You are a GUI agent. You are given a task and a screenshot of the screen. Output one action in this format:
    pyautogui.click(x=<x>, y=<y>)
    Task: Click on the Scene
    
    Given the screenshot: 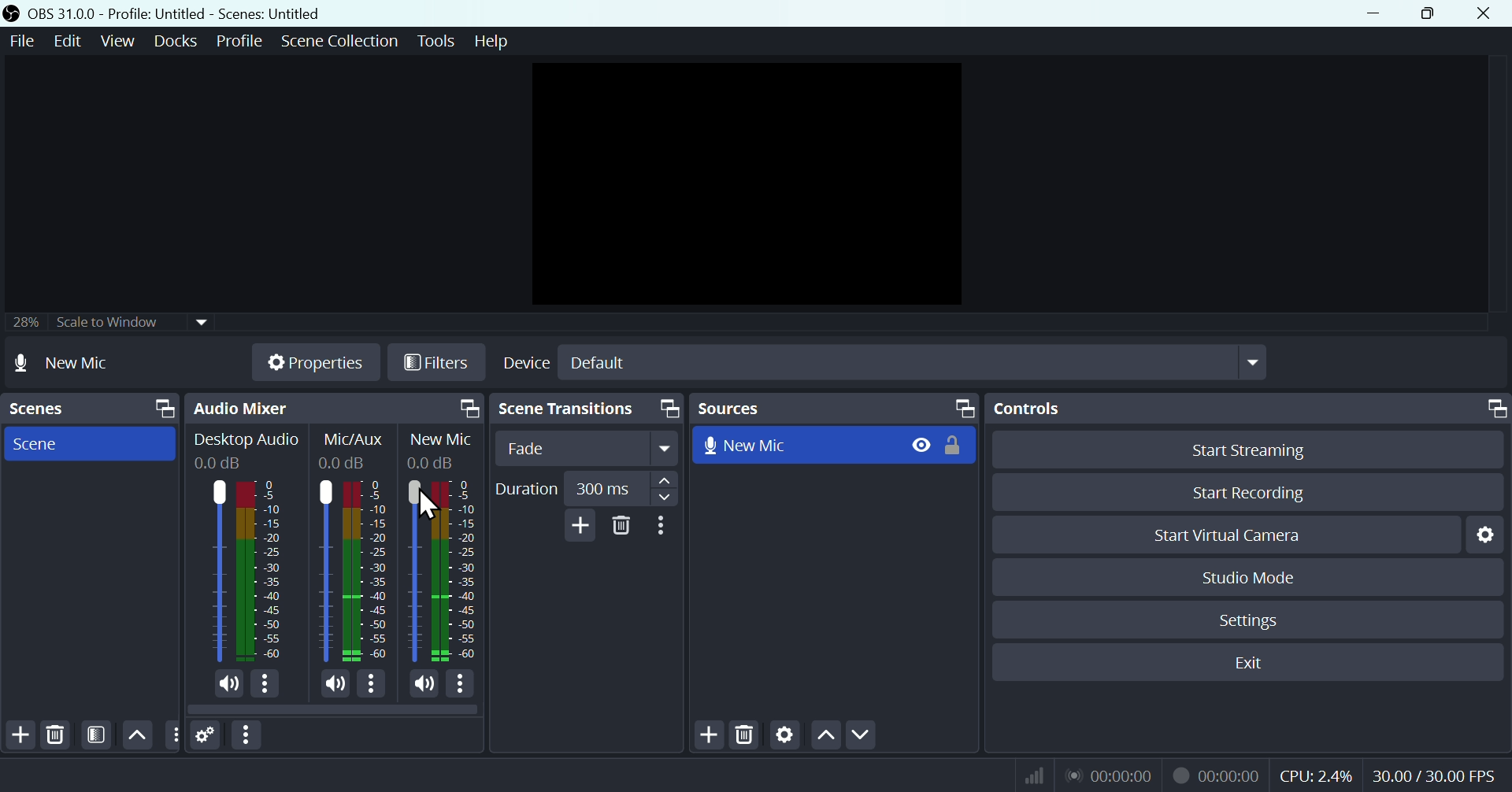 What is the action you would take?
    pyautogui.click(x=86, y=442)
    